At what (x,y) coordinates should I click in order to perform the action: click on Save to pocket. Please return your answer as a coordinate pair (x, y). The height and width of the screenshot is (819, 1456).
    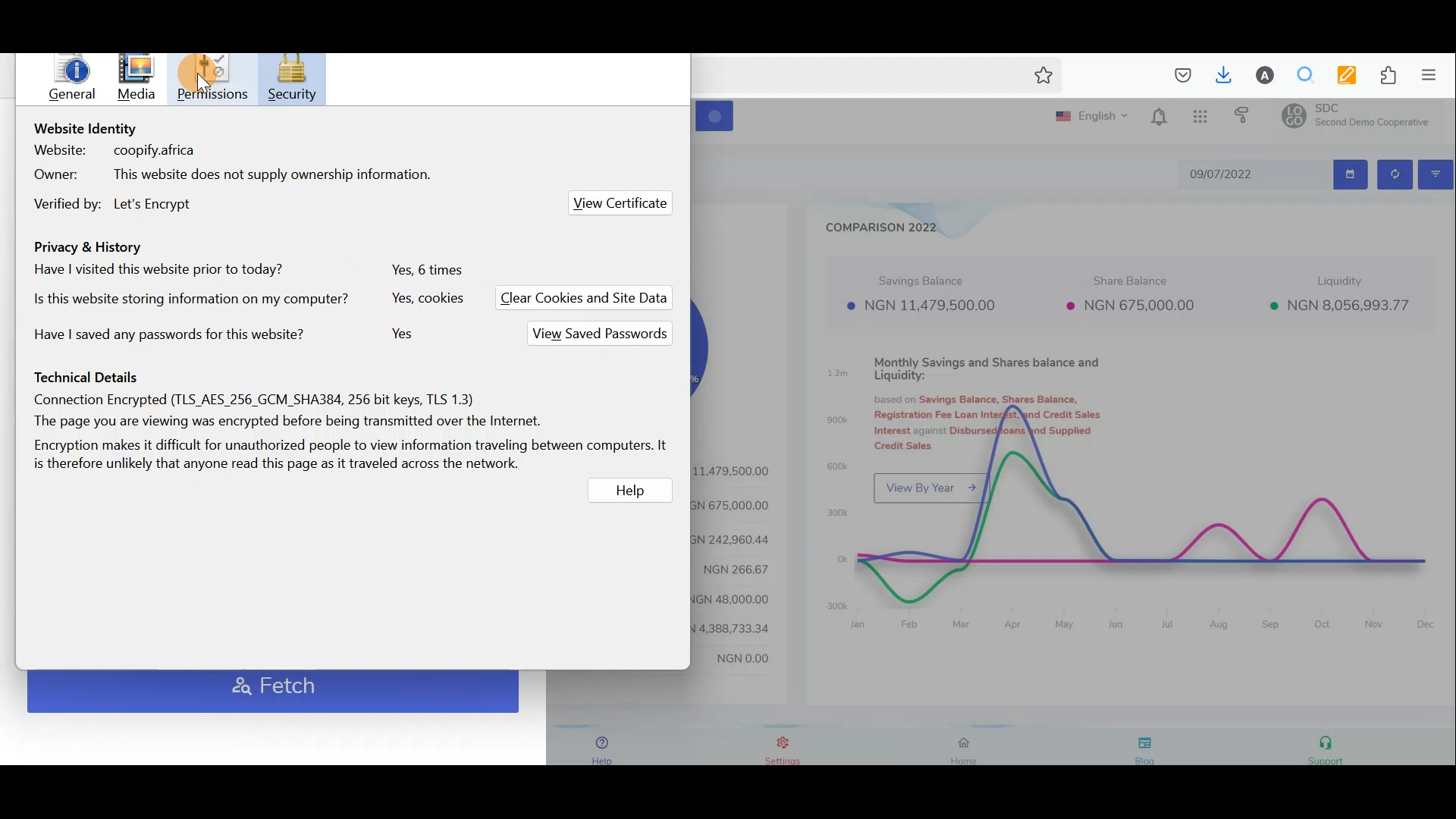
    Looking at the image, I should click on (1177, 76).